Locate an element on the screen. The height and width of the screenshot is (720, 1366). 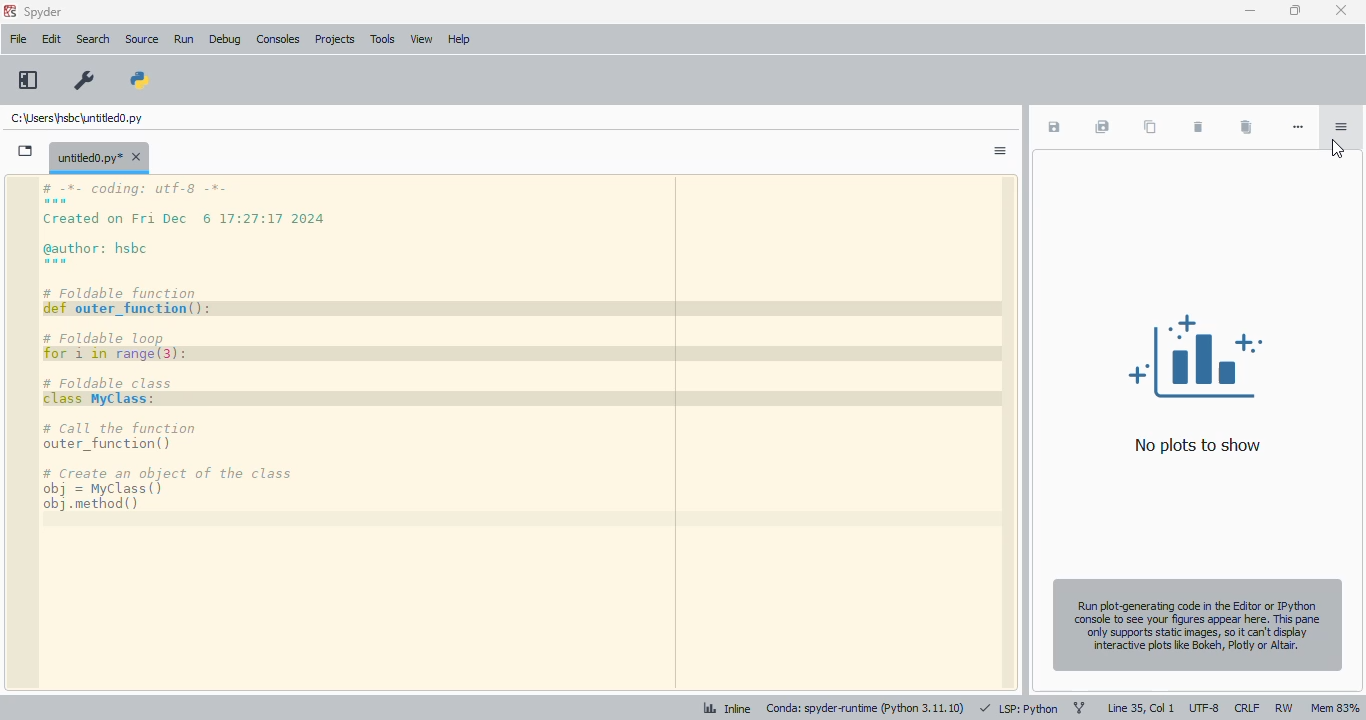
browse tabs is located at coordinates (26, 151).